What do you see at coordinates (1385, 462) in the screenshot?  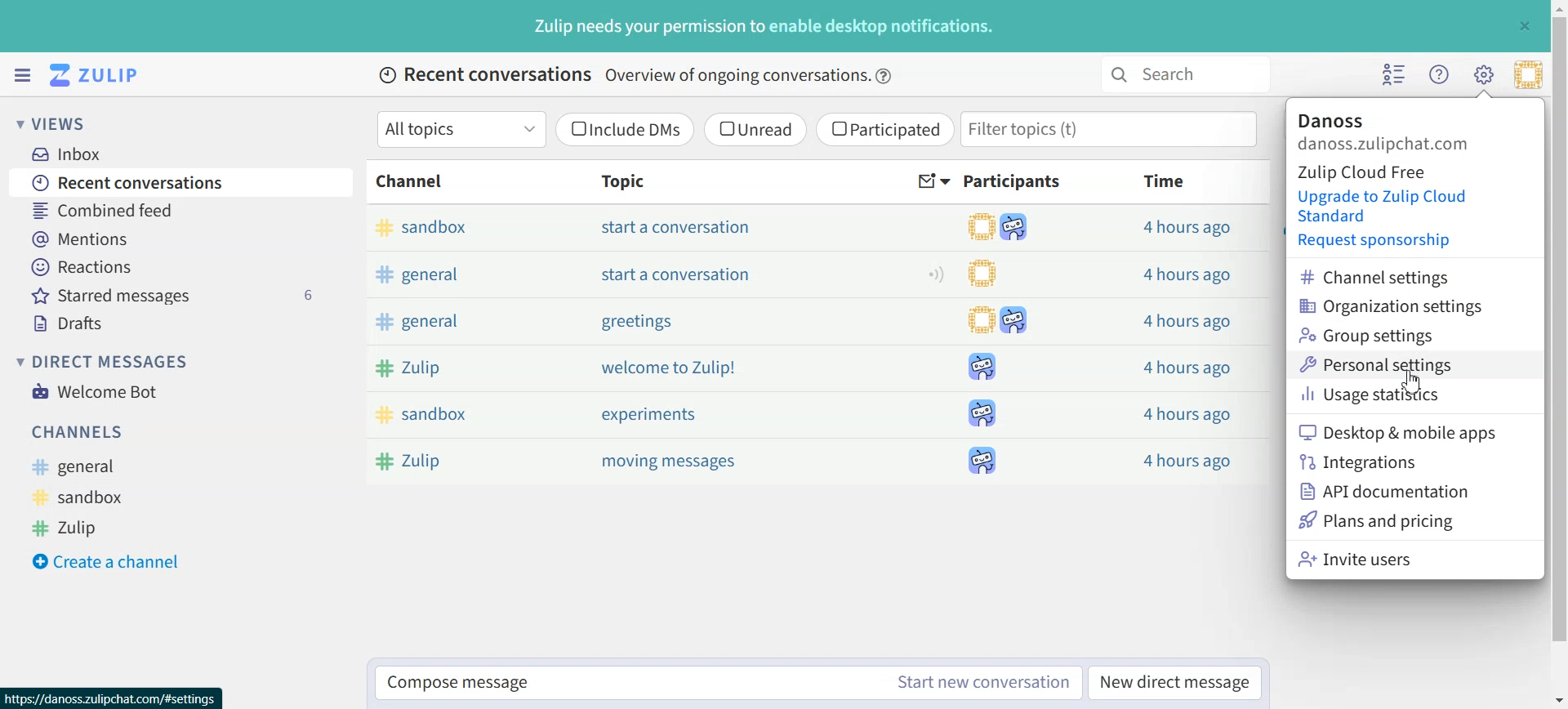 I see `Integration` at bounding box center [1385, 462].